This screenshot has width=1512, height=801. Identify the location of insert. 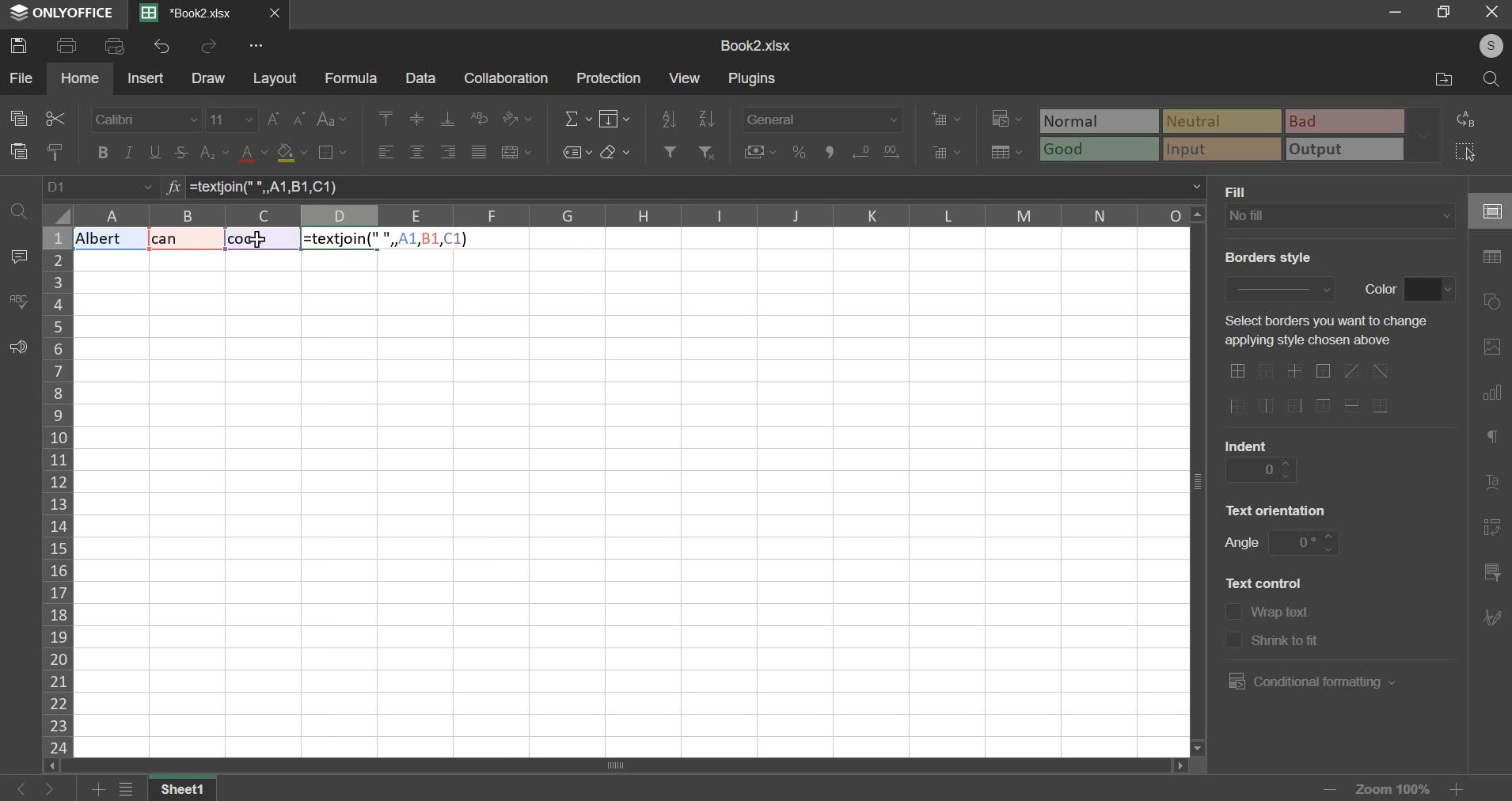
(145, 78).